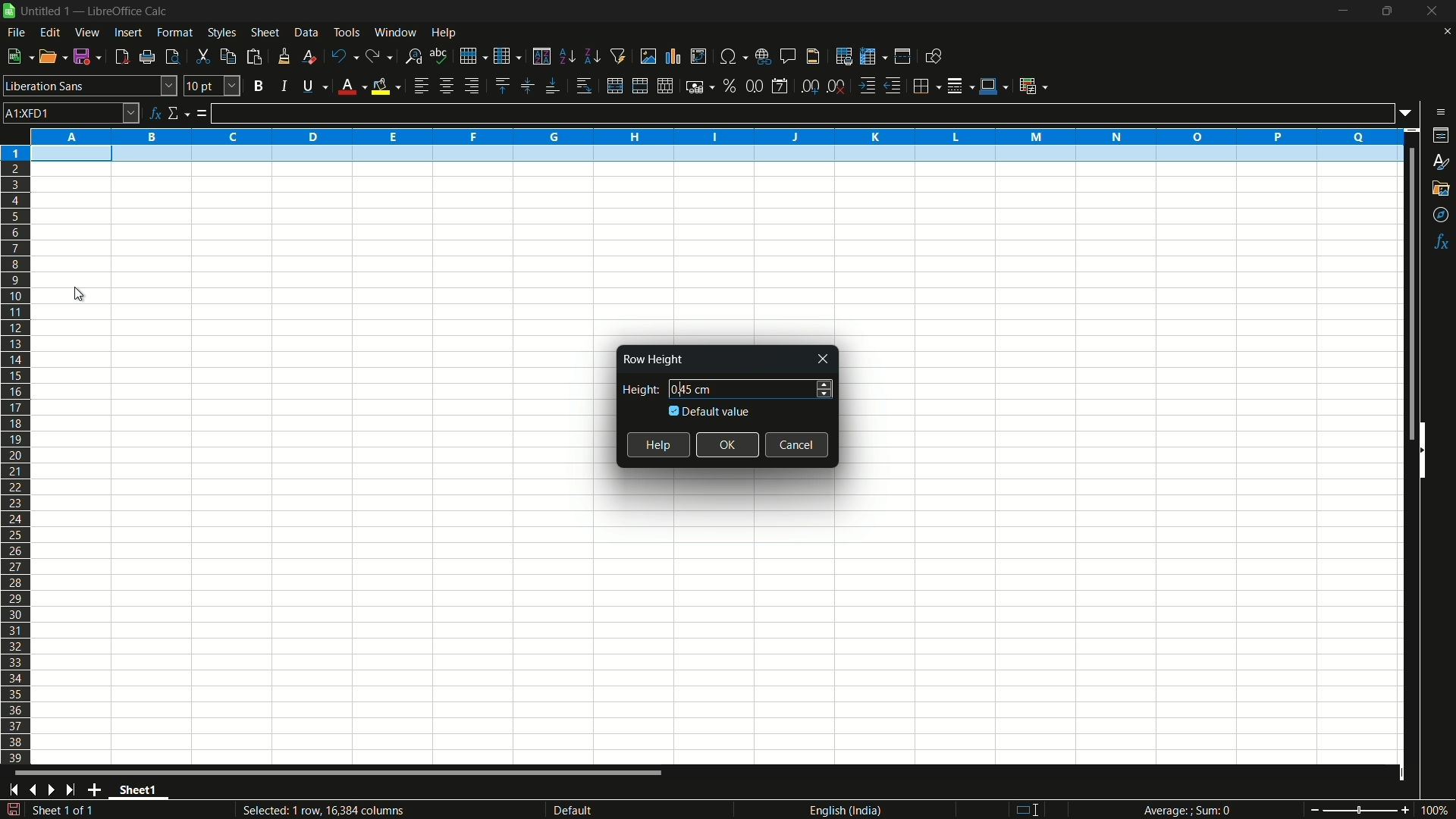 Image resolution: width=1456 pixels, height=819 pixels. I want to click on new file, so click(18, 56).